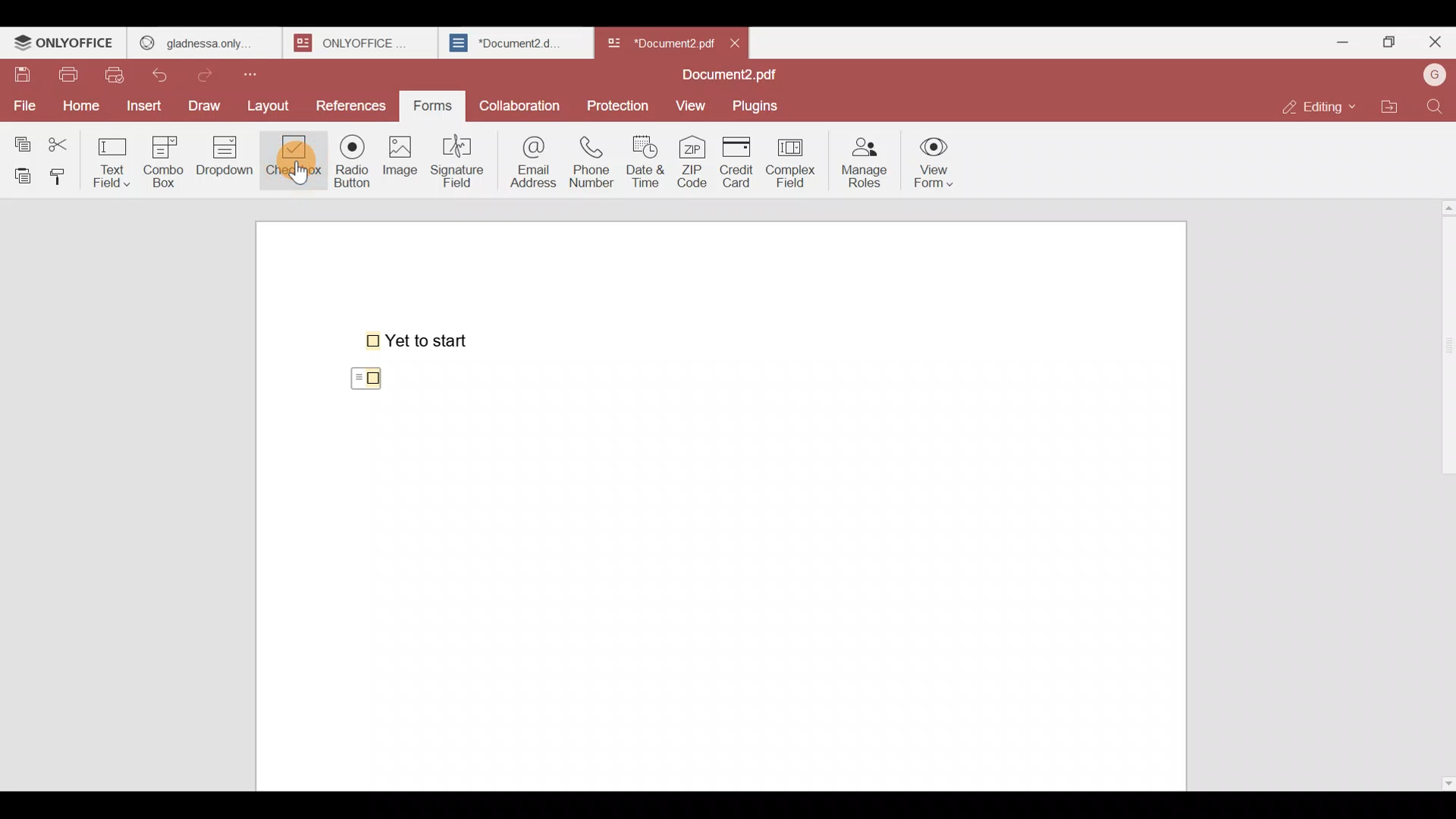 The height and width of the screenshot is (819, 1456). I want to click on Text field, so click(115, 158).